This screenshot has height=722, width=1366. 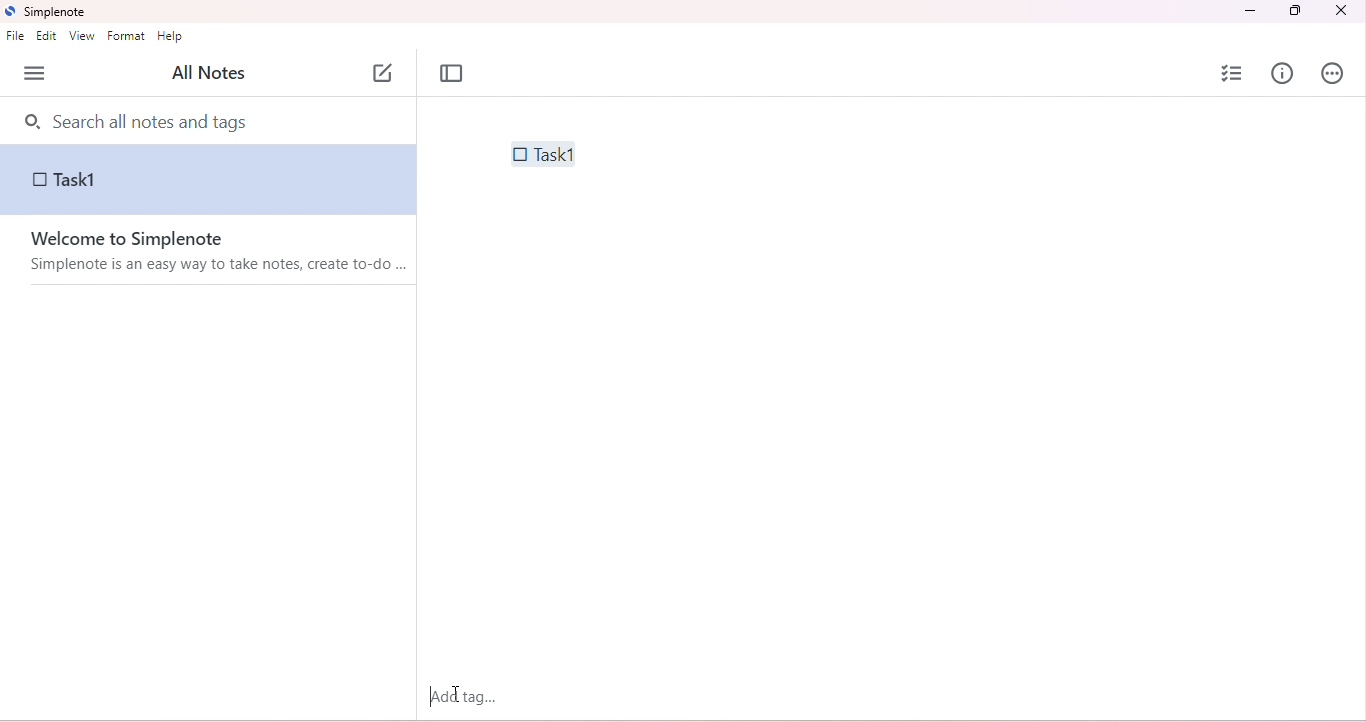 I want to click on help, so click(x=172, y=38).